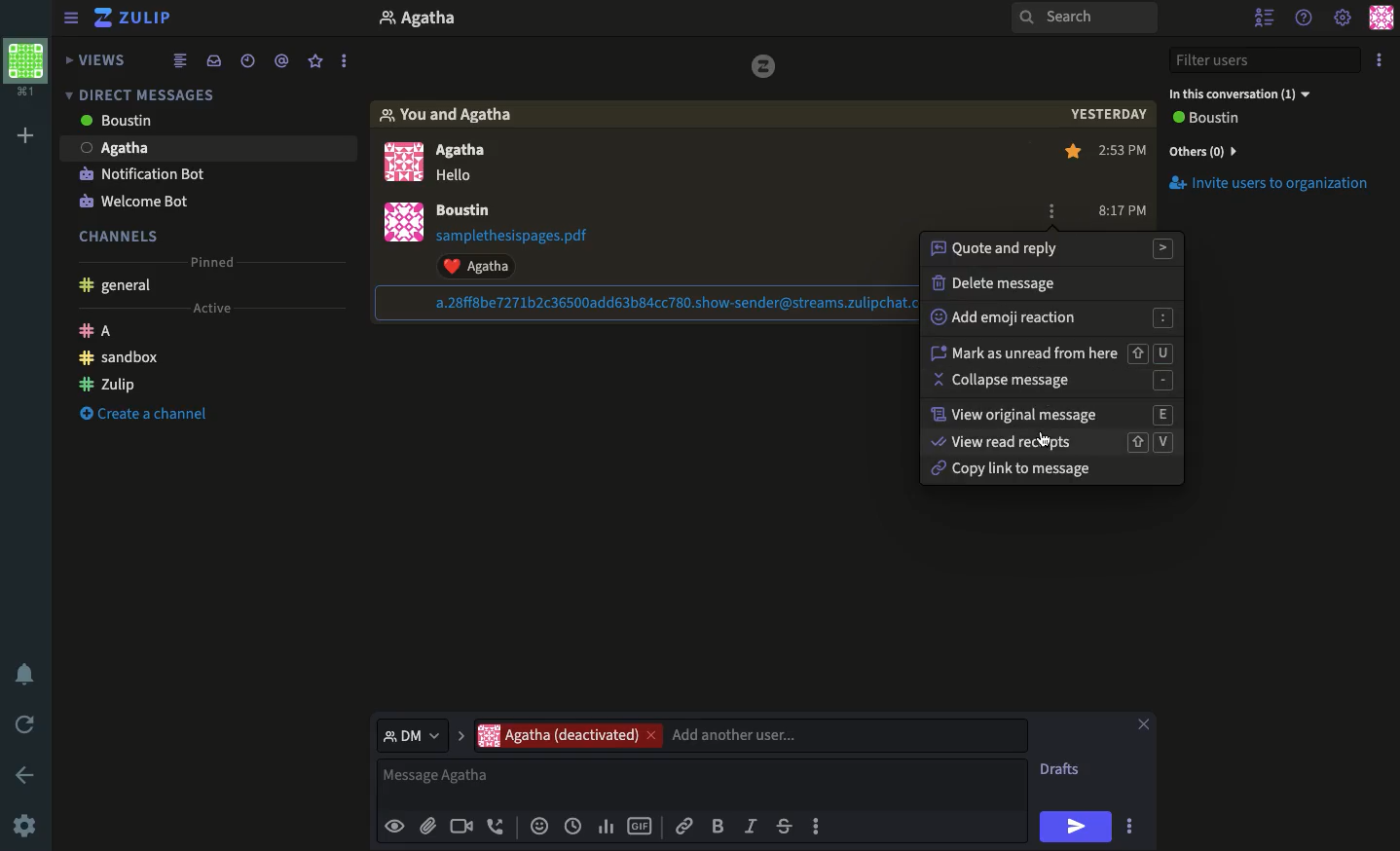  Describe the element at coordinates (497, 828) in the screenshot. I see `Audio call` at that location.